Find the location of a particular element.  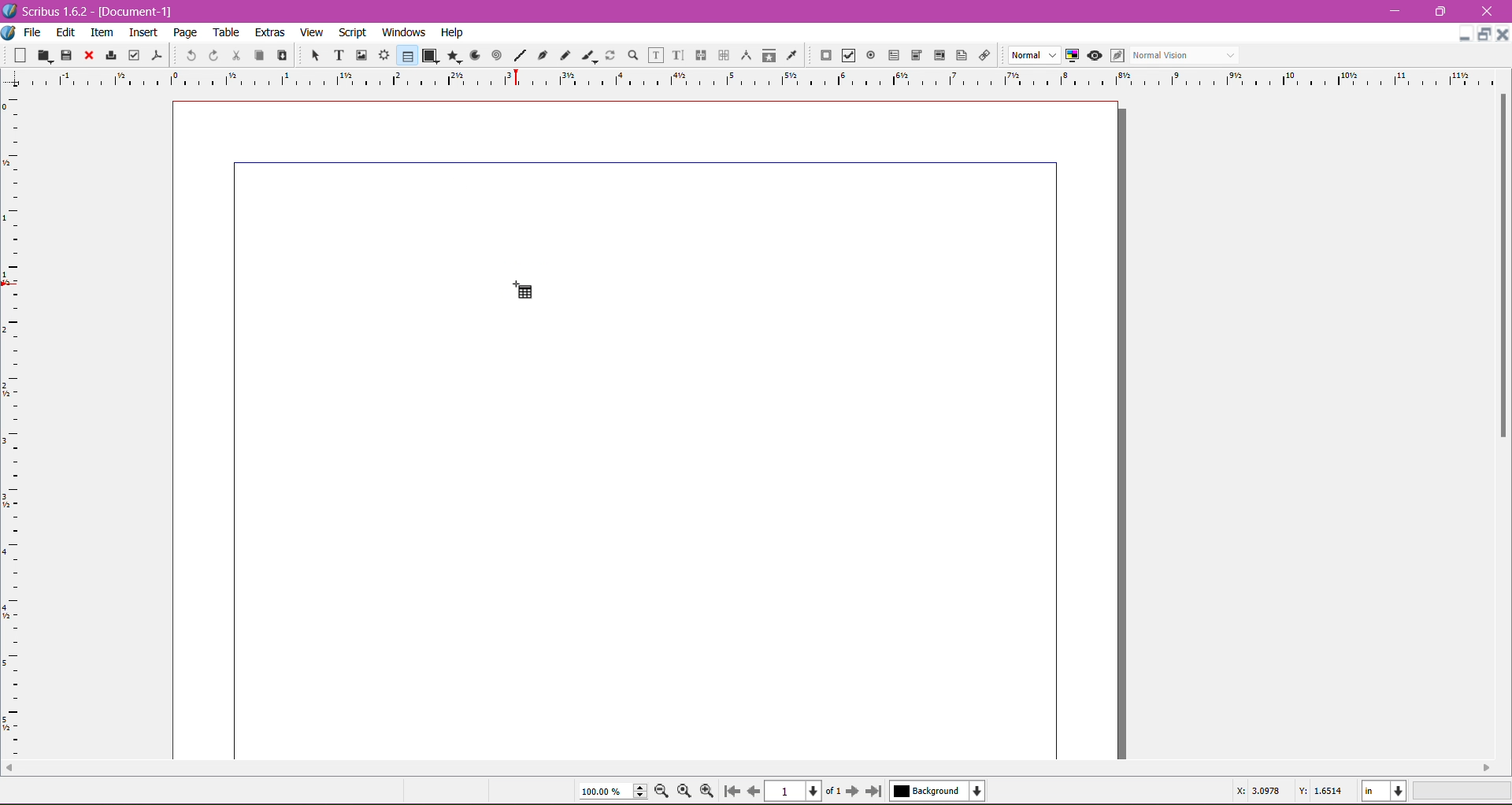

Zoom in or out is located at coordinates (628, 54).